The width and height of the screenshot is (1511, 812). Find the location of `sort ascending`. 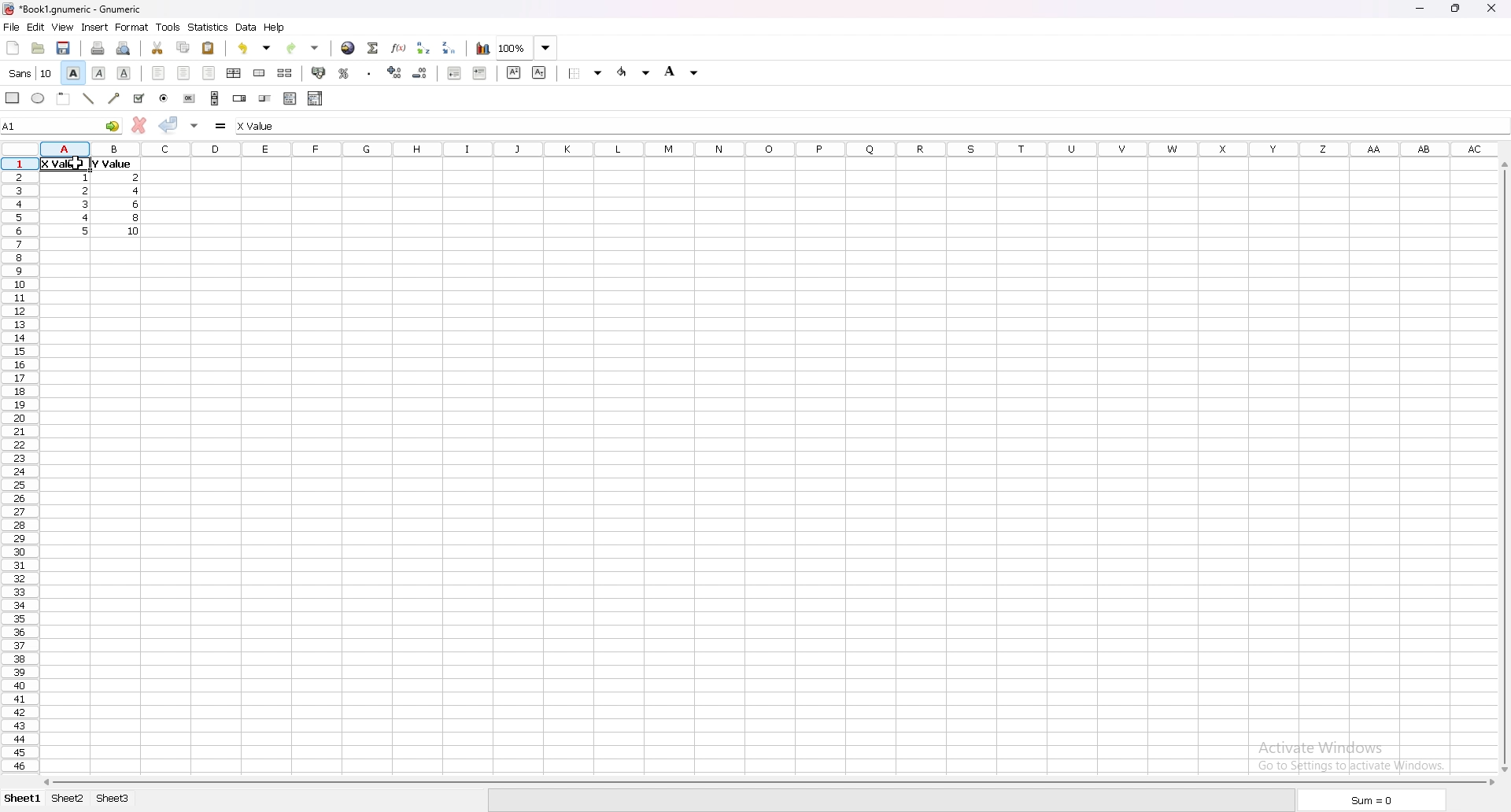

sort ascending is located at coordinates (423, 47).